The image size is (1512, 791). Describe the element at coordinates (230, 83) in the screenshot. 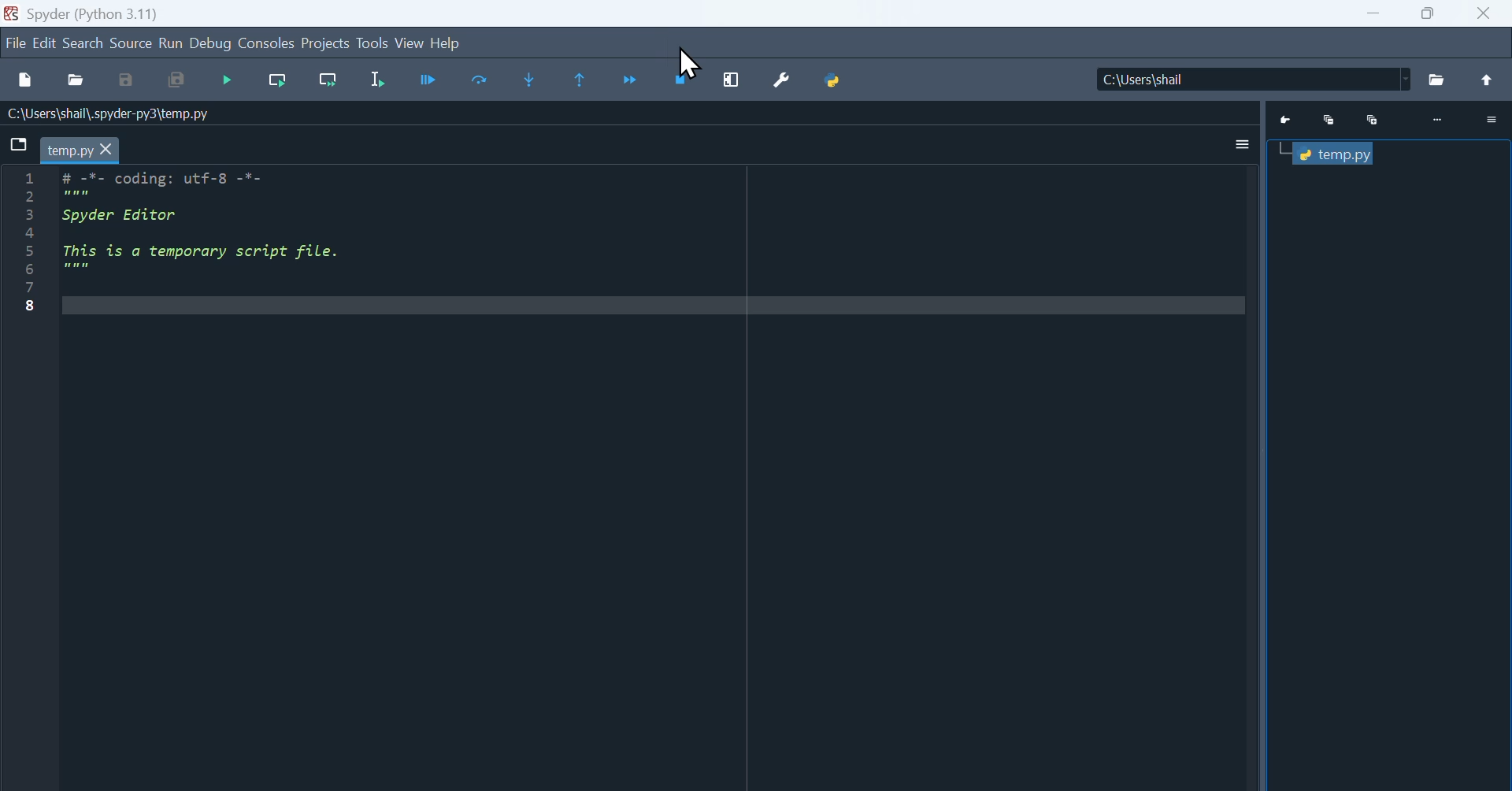

I see `Debugging` at that location.